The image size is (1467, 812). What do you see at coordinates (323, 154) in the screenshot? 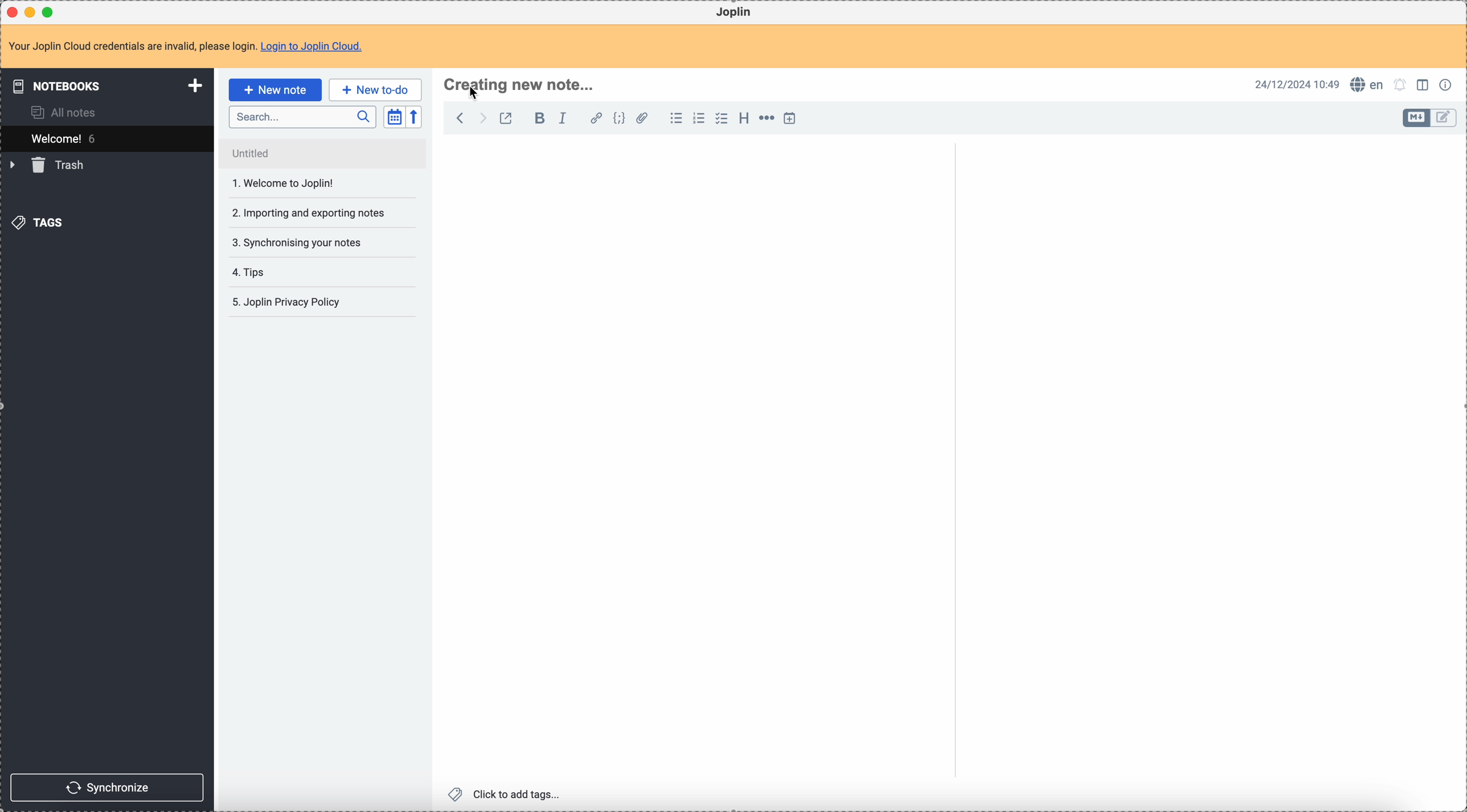
I see `Untitled` at bounding box center [323, 154].